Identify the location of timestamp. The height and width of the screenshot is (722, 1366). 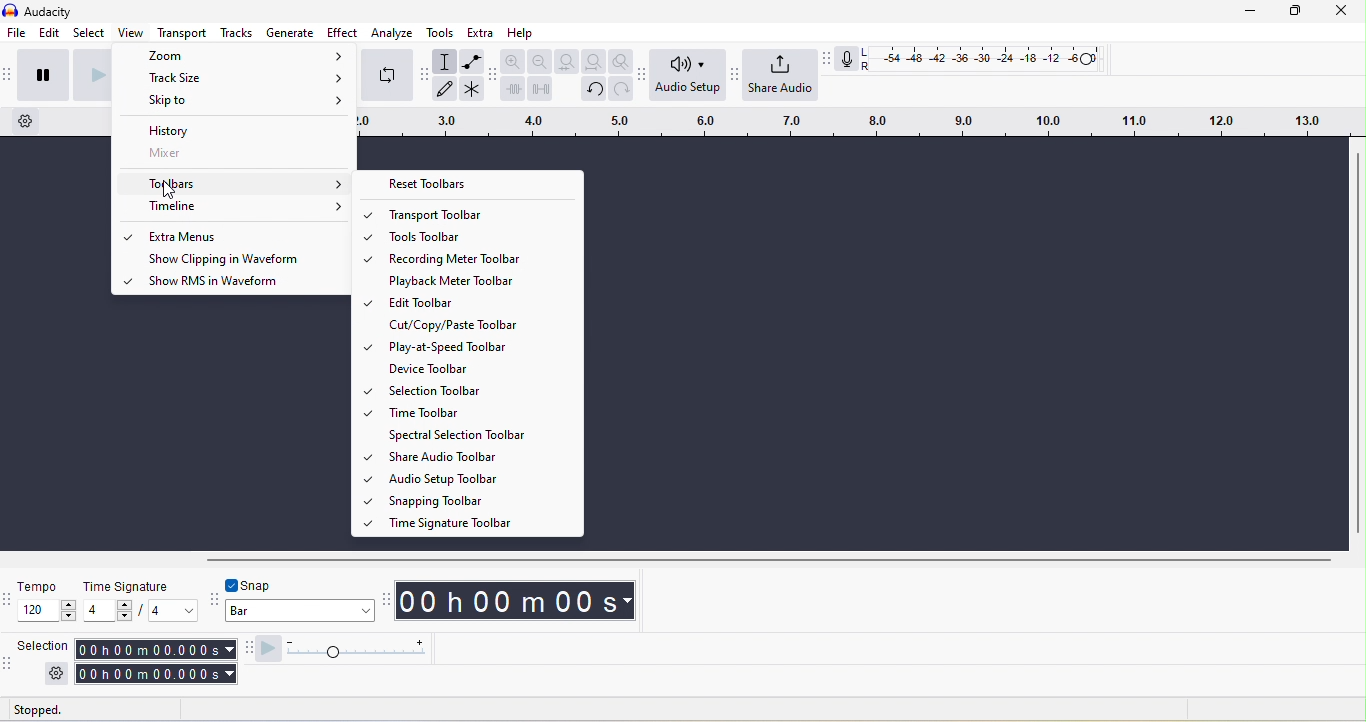
(515, 601).